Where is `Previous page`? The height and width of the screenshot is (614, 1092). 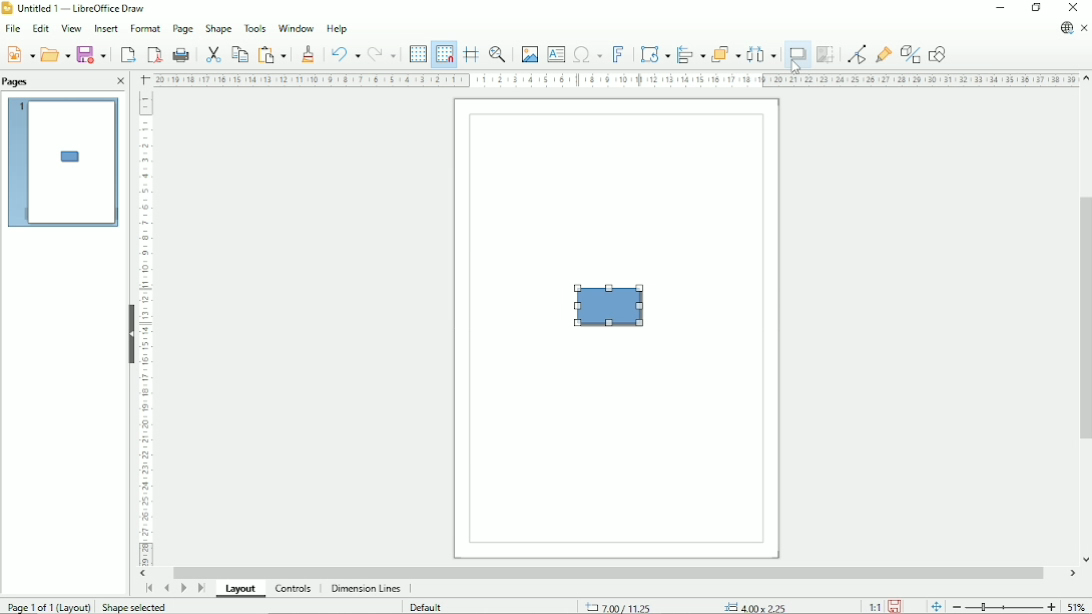 Previous page is located at coordinates (166, 590).